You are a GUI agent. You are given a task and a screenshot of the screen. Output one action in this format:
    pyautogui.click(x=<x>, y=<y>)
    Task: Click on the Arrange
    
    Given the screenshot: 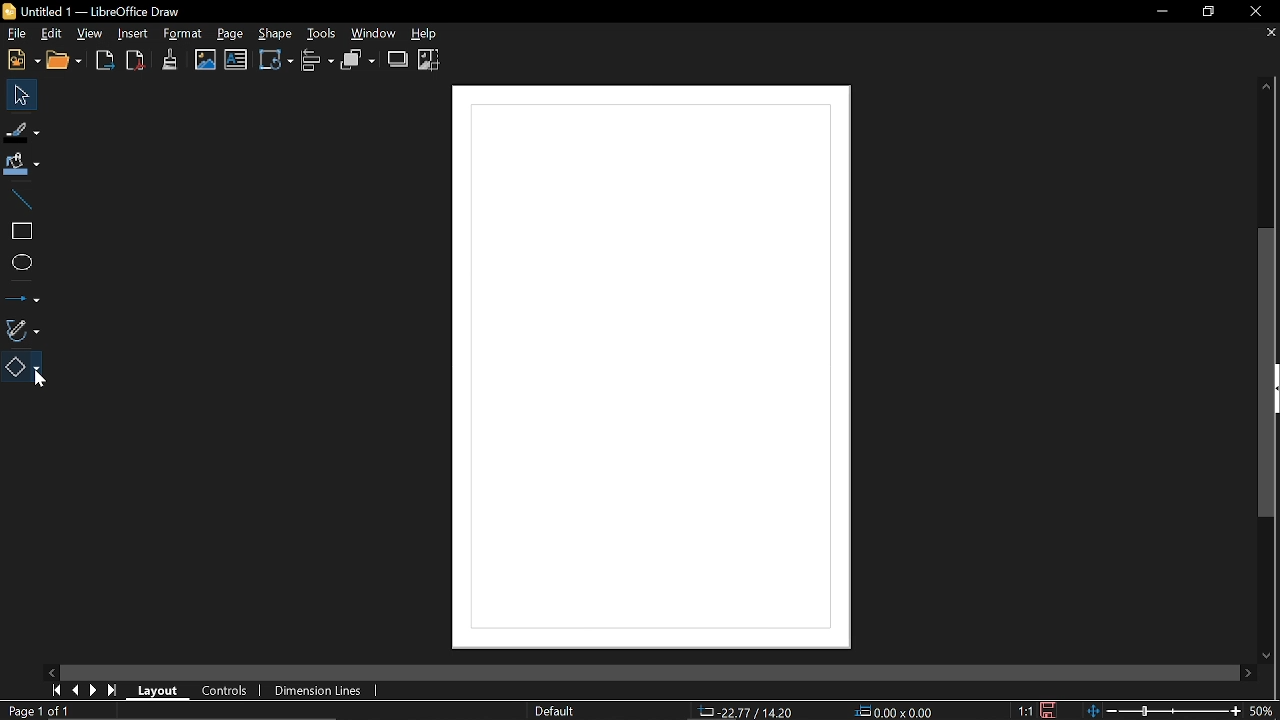 What is the action you would take?
    pyautogui.click(x=358, y=60)
    